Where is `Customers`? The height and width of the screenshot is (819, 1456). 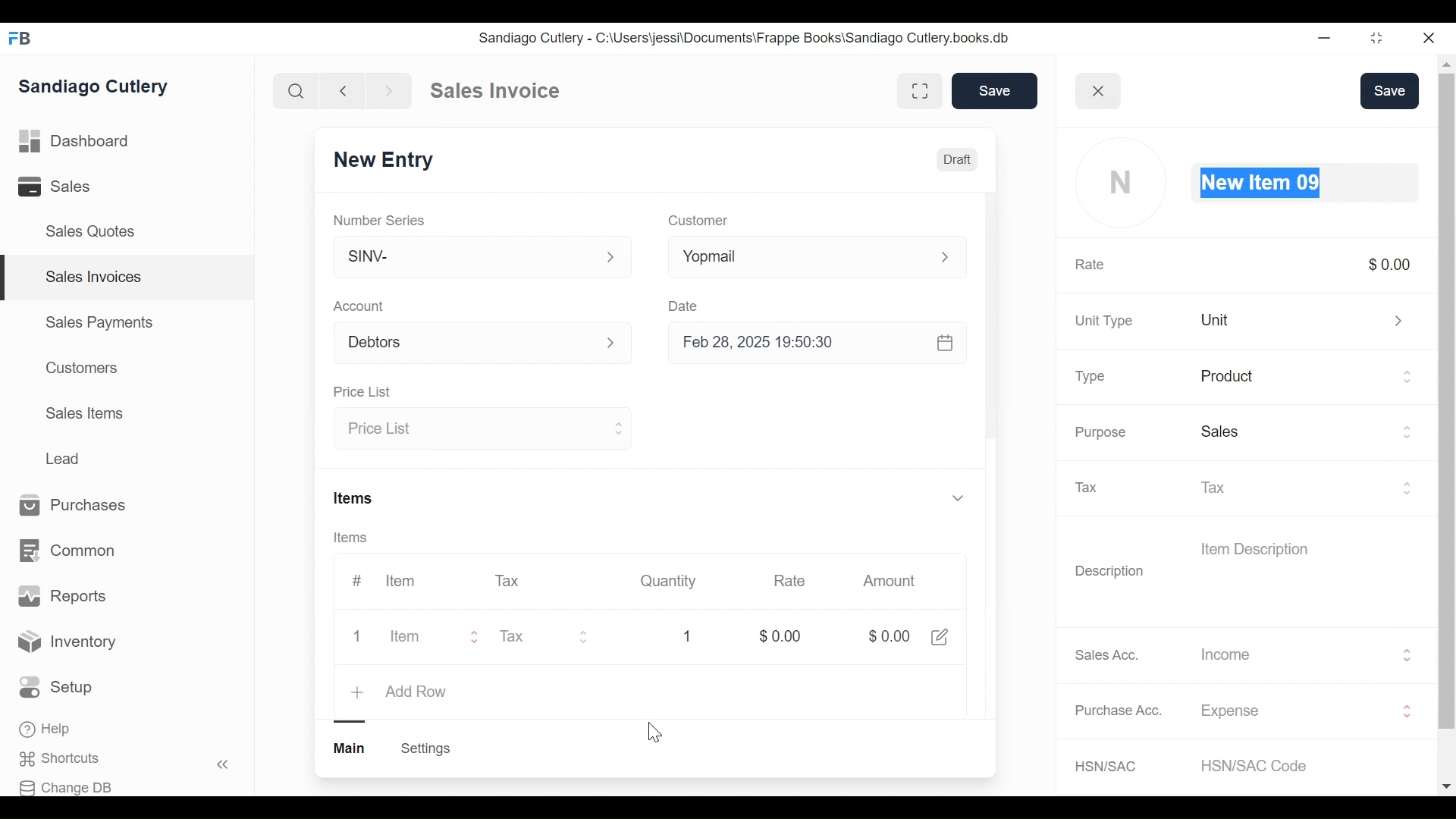 Customers is located at coordinates (78, 368).